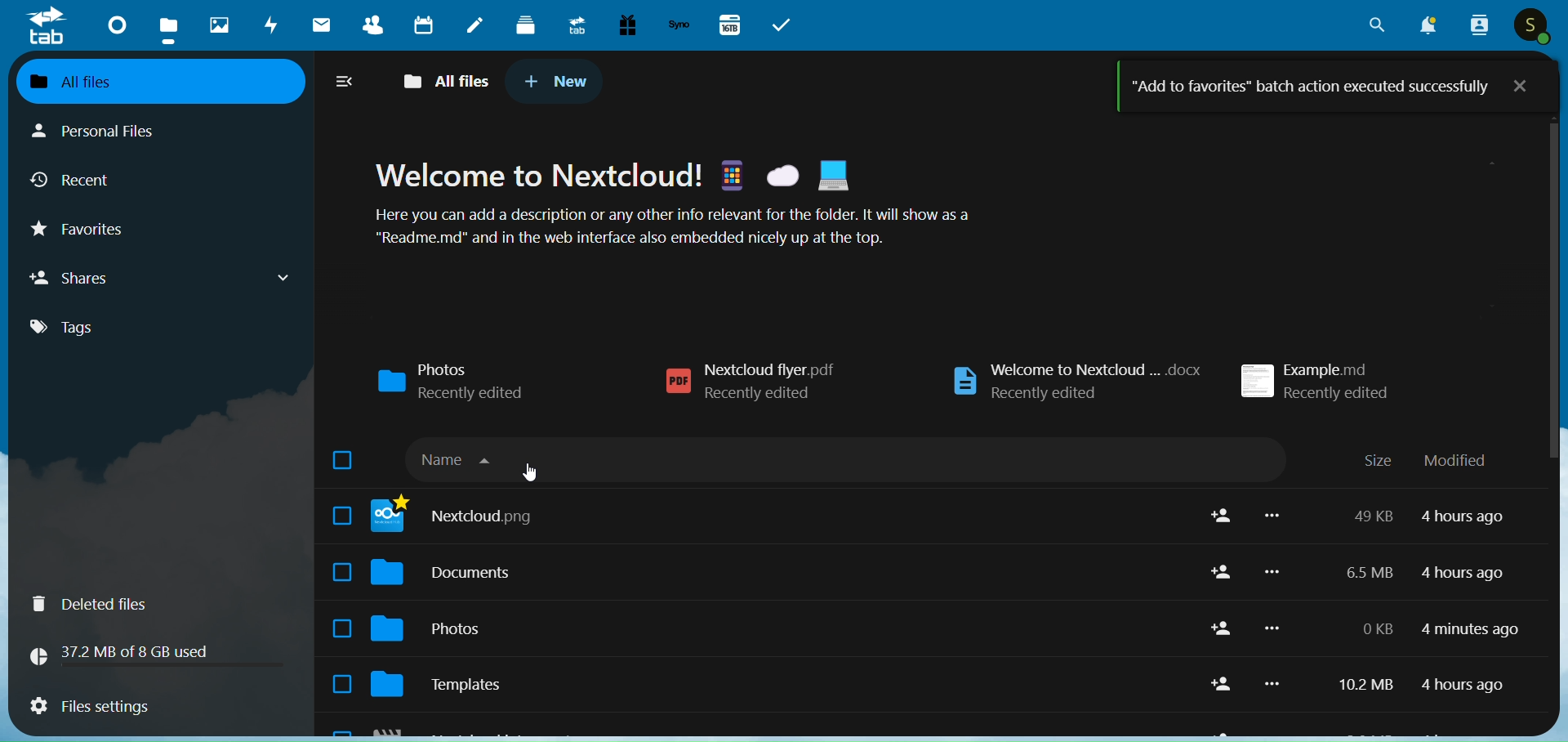 This screenshot has width=1568, height=742. What do you see at coordinates (1370, 26) in the screenshot?
I see `search` at bounding box center [1370, 26].